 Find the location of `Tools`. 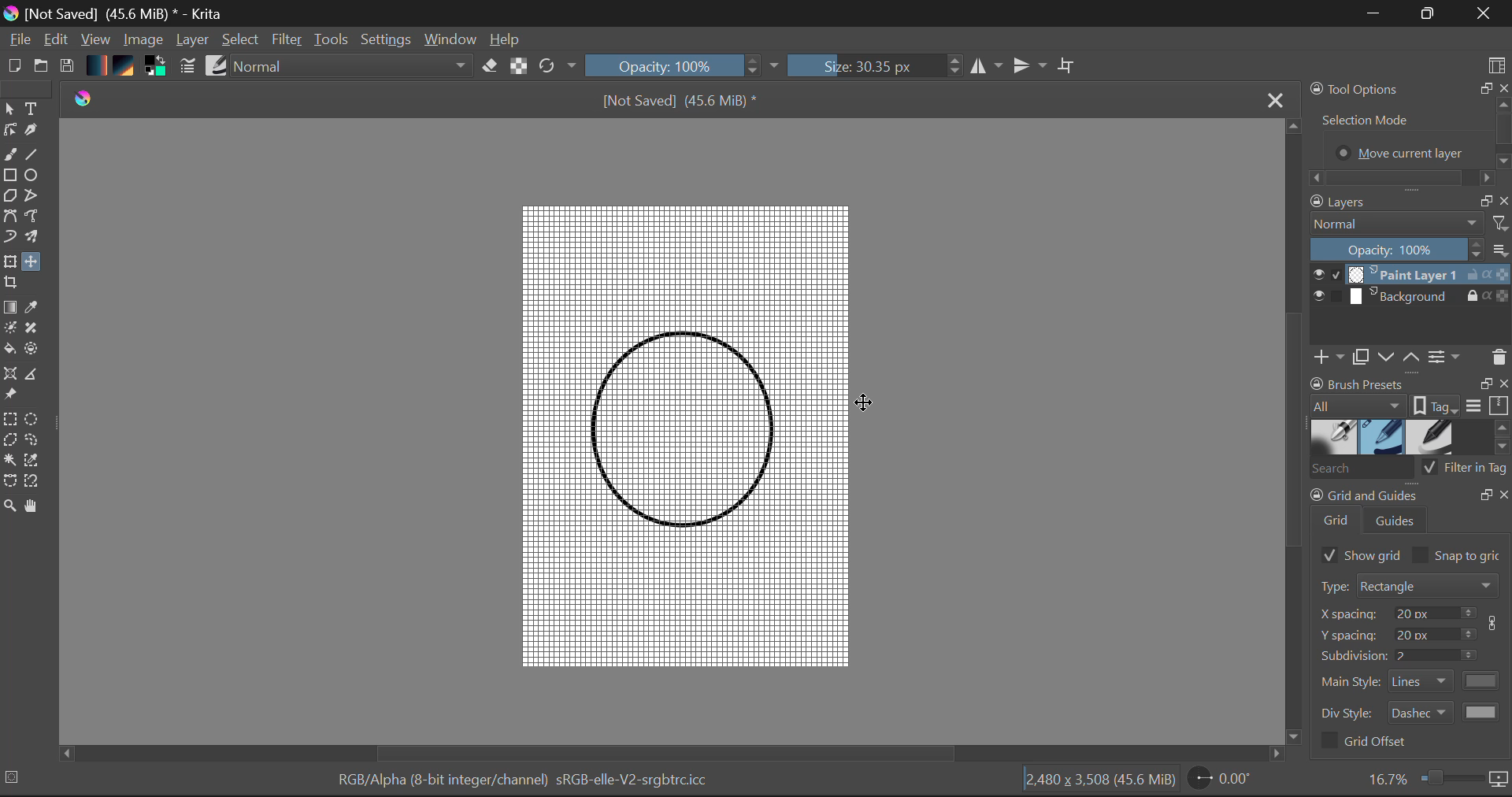

Tools is located at coordinates (332, 41).